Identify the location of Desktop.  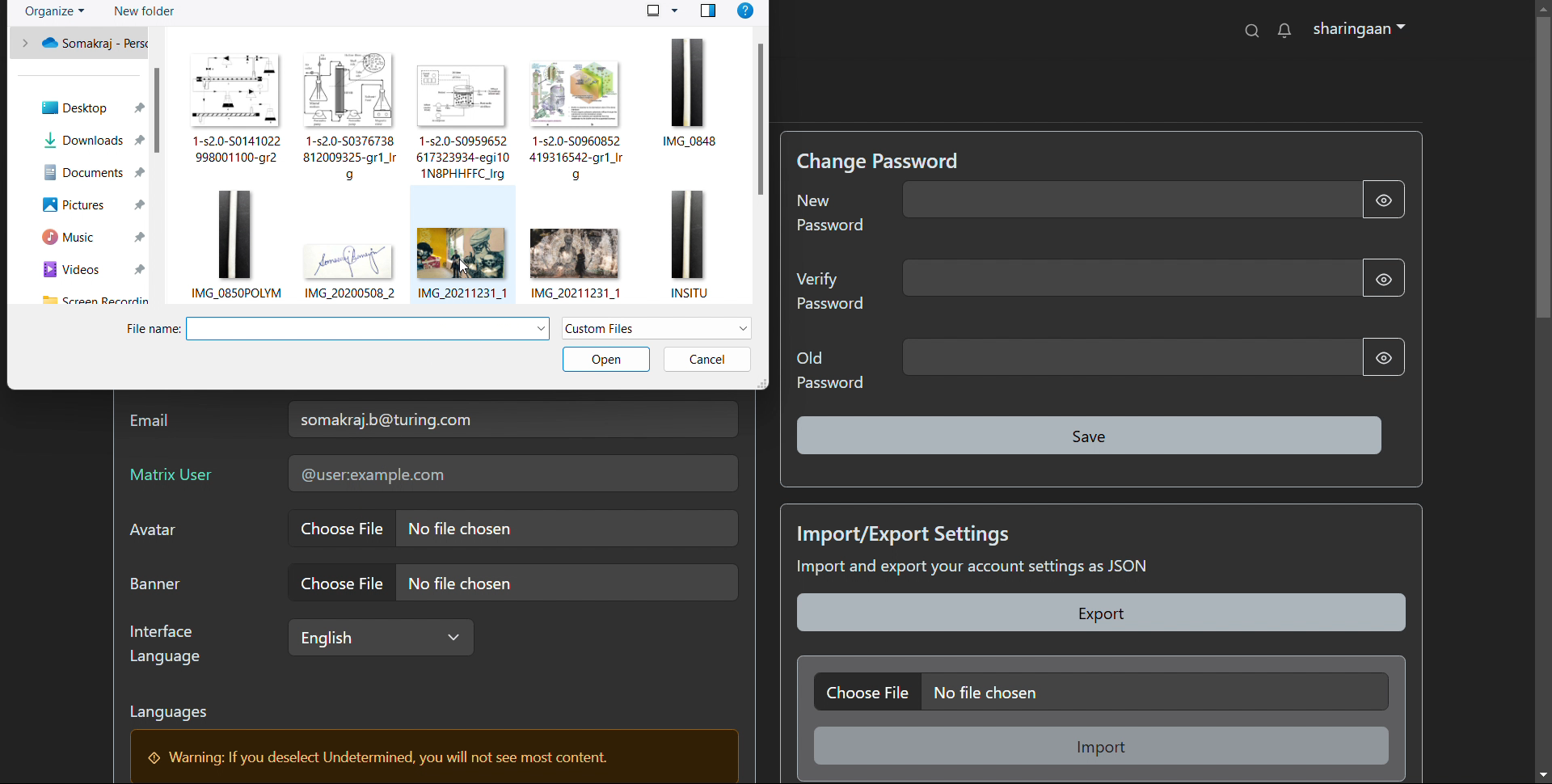
(82, 104).